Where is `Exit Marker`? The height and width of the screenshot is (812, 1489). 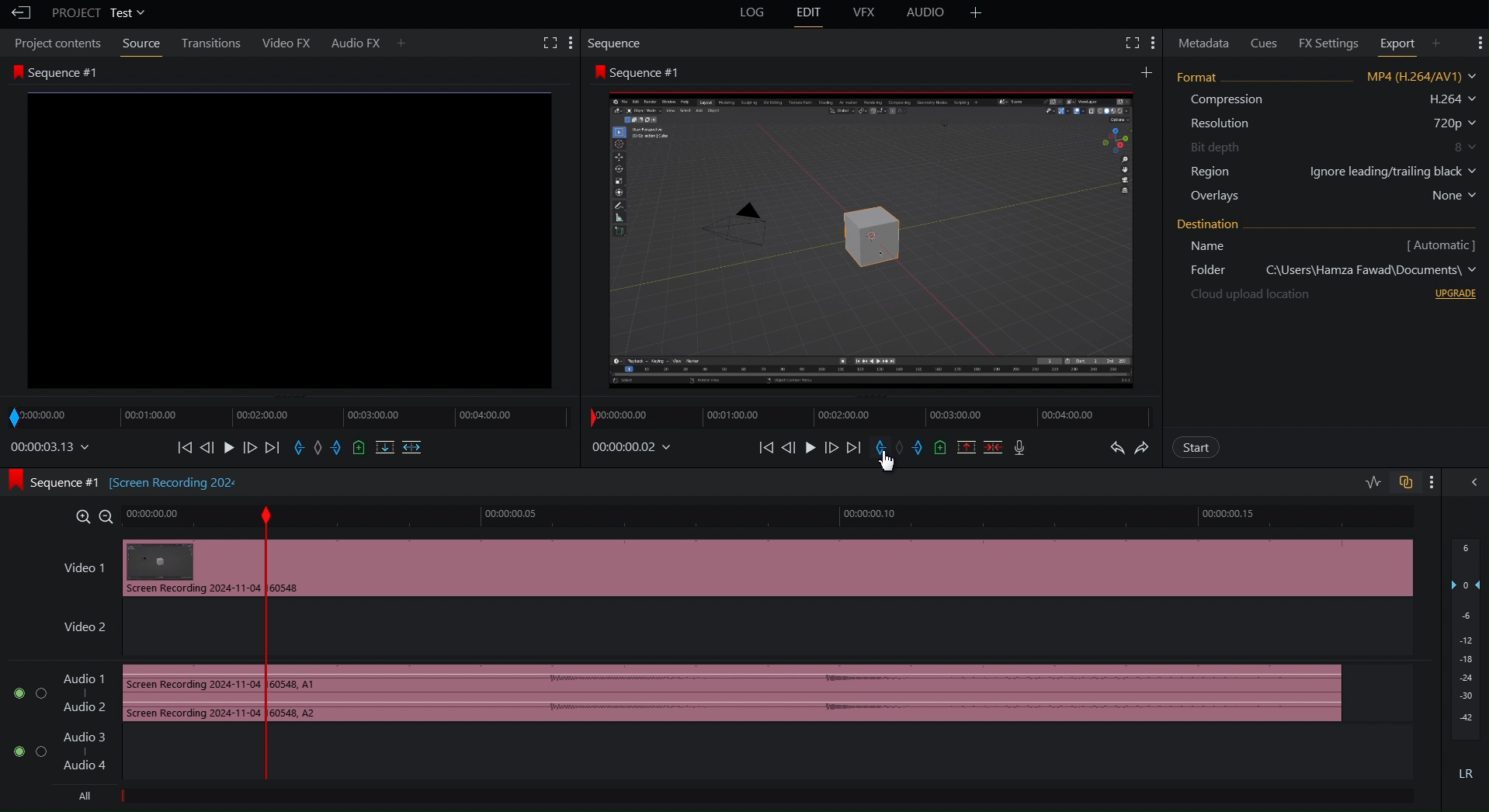 Exit Marker is located at coordinates (922, 448).